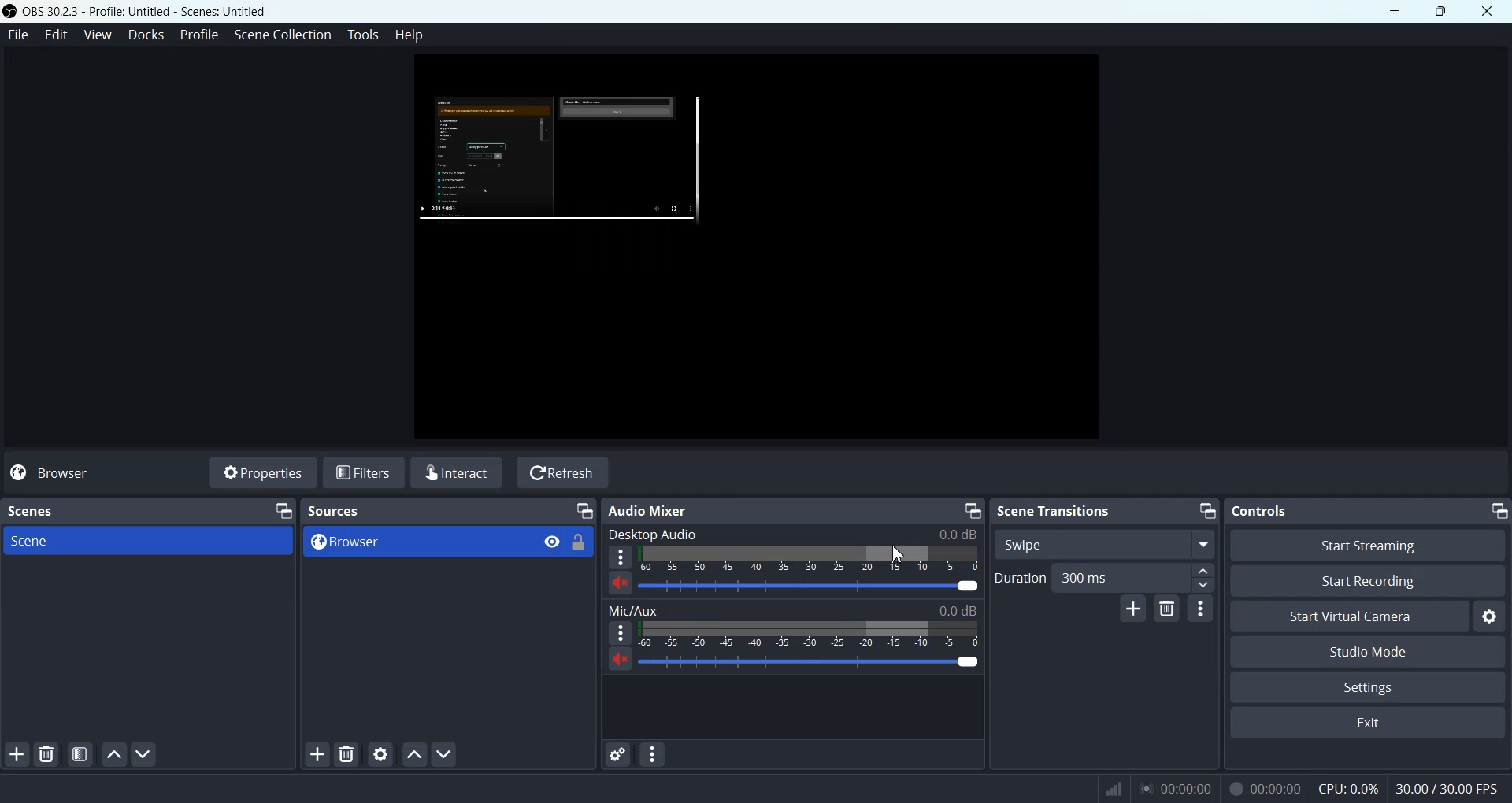 Image resolution: width=1512 pixels, height=803 pixels. I want to click on Browser, so click(61, 472).